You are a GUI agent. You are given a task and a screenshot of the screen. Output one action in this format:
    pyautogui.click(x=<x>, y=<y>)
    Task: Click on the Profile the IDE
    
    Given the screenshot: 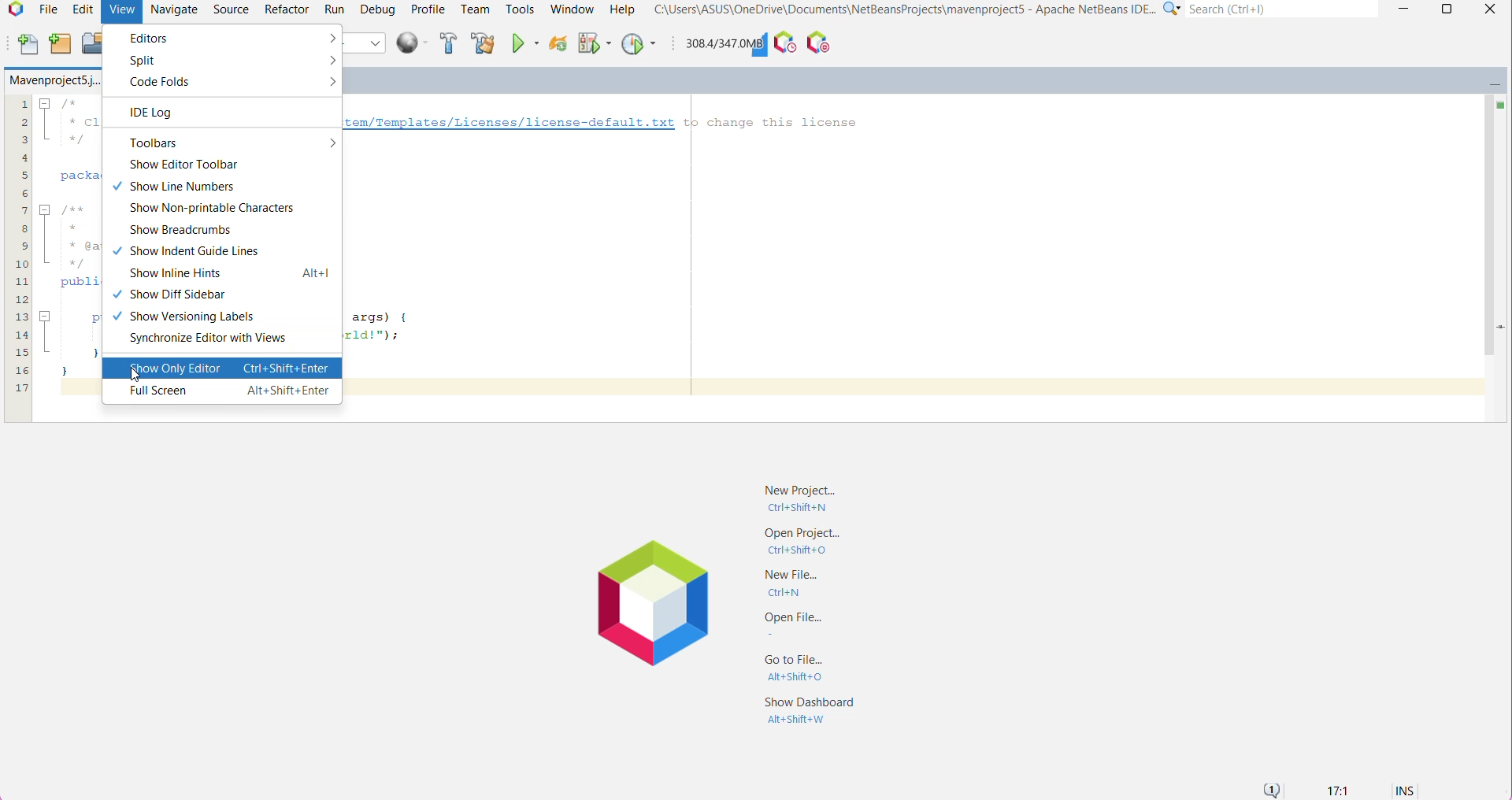 What is the action you would take?
    pyautogui.click(x=785, y=43)
    